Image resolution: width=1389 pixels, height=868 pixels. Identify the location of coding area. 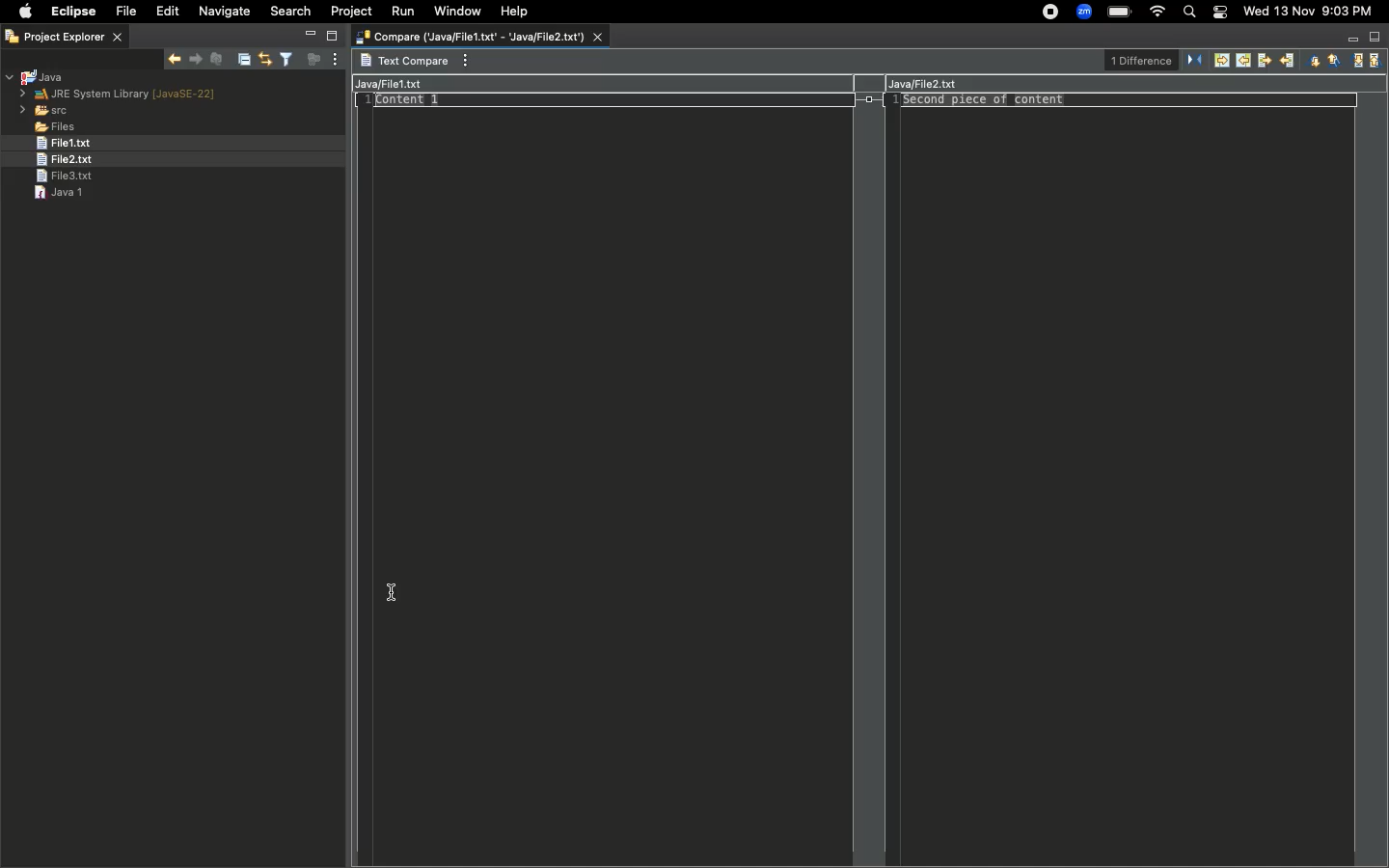
(1120, 465).